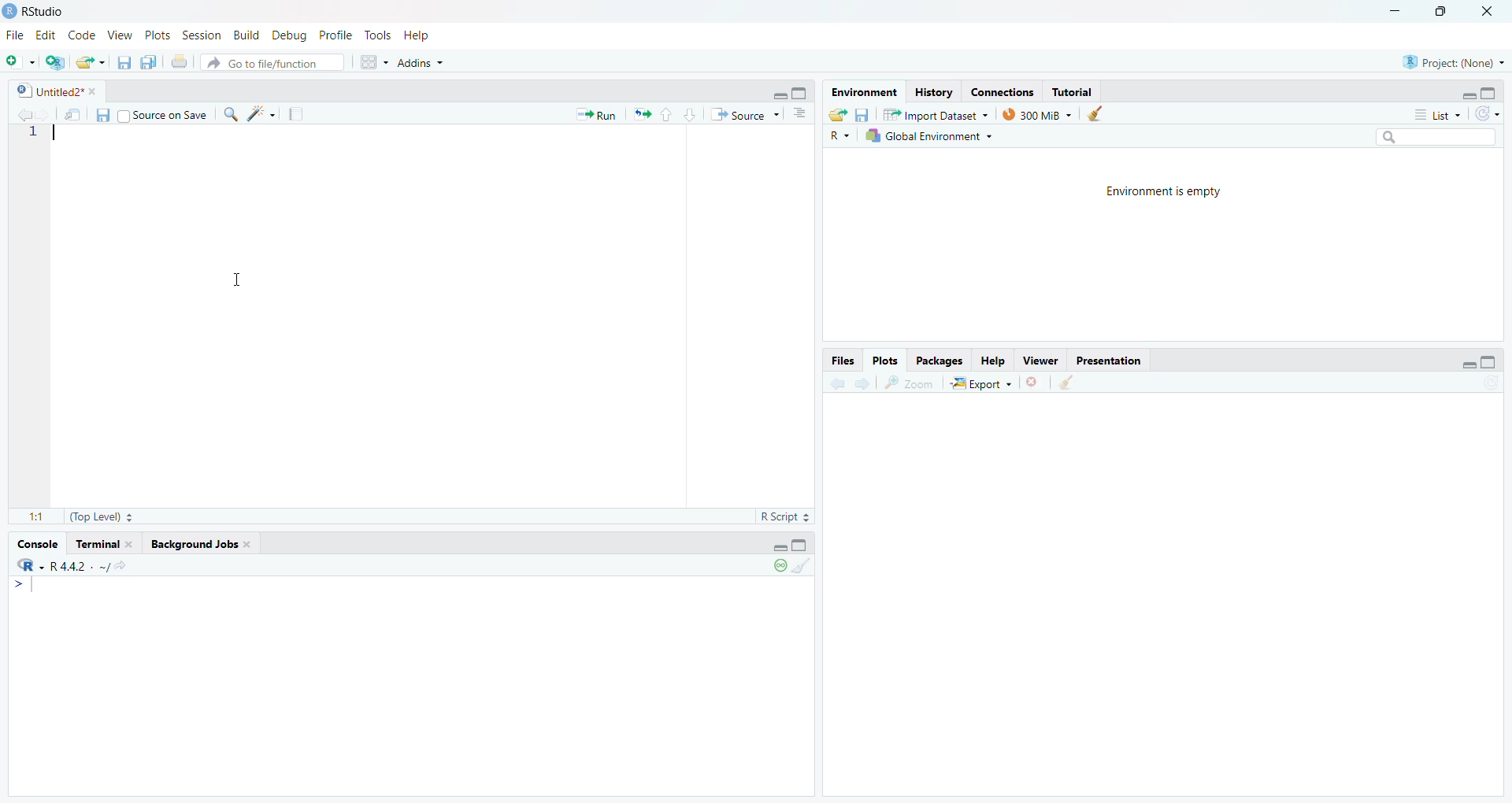 This screenshot has width=1512, height=803. Describe the element at coordinates (91, 62) in the screenshot. I see `open an existing file` at that location.